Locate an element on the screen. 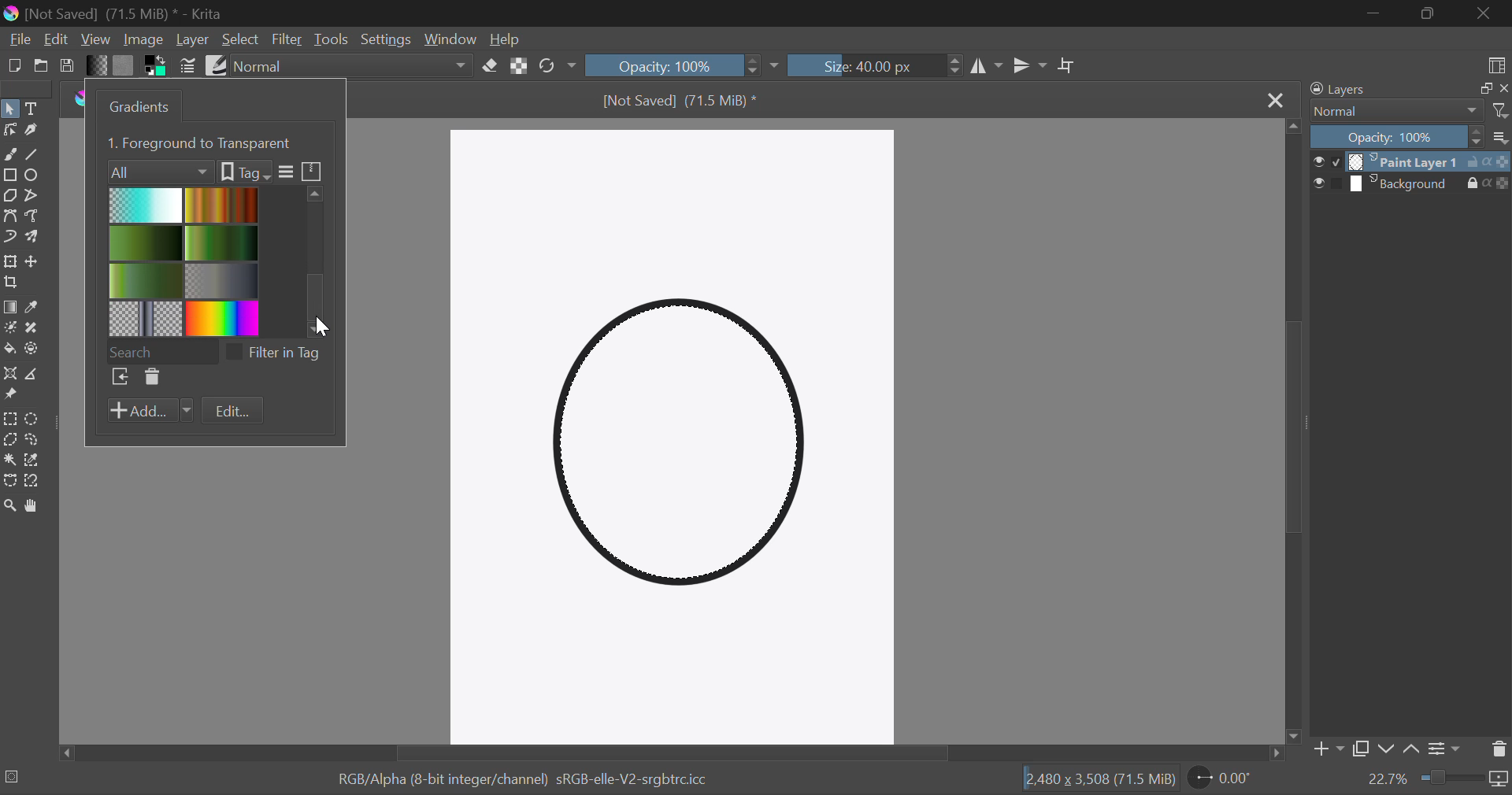  Freehand Selection is located at coordinates (36, 438).